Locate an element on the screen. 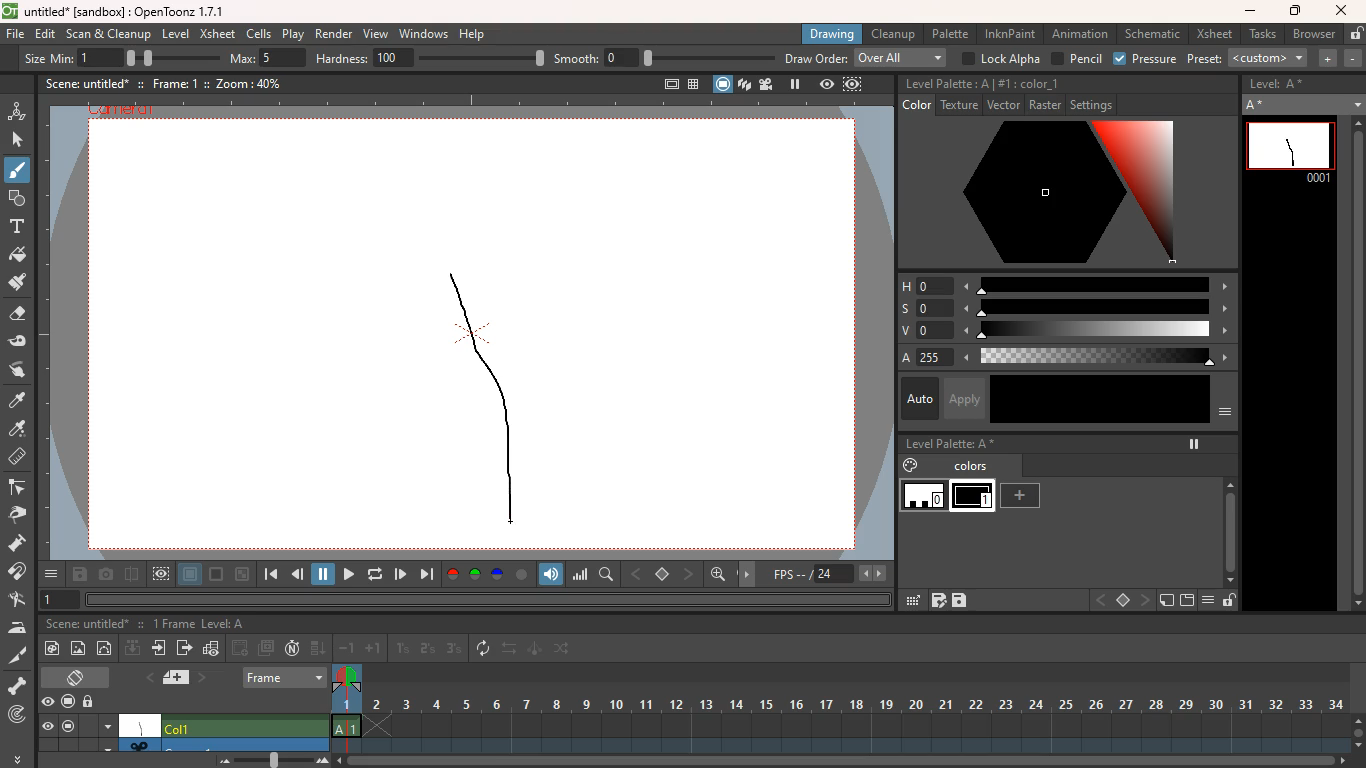 Image resolution: width=1366 pixels, height=768 pixels. more is located at coordinates (1329, 59).